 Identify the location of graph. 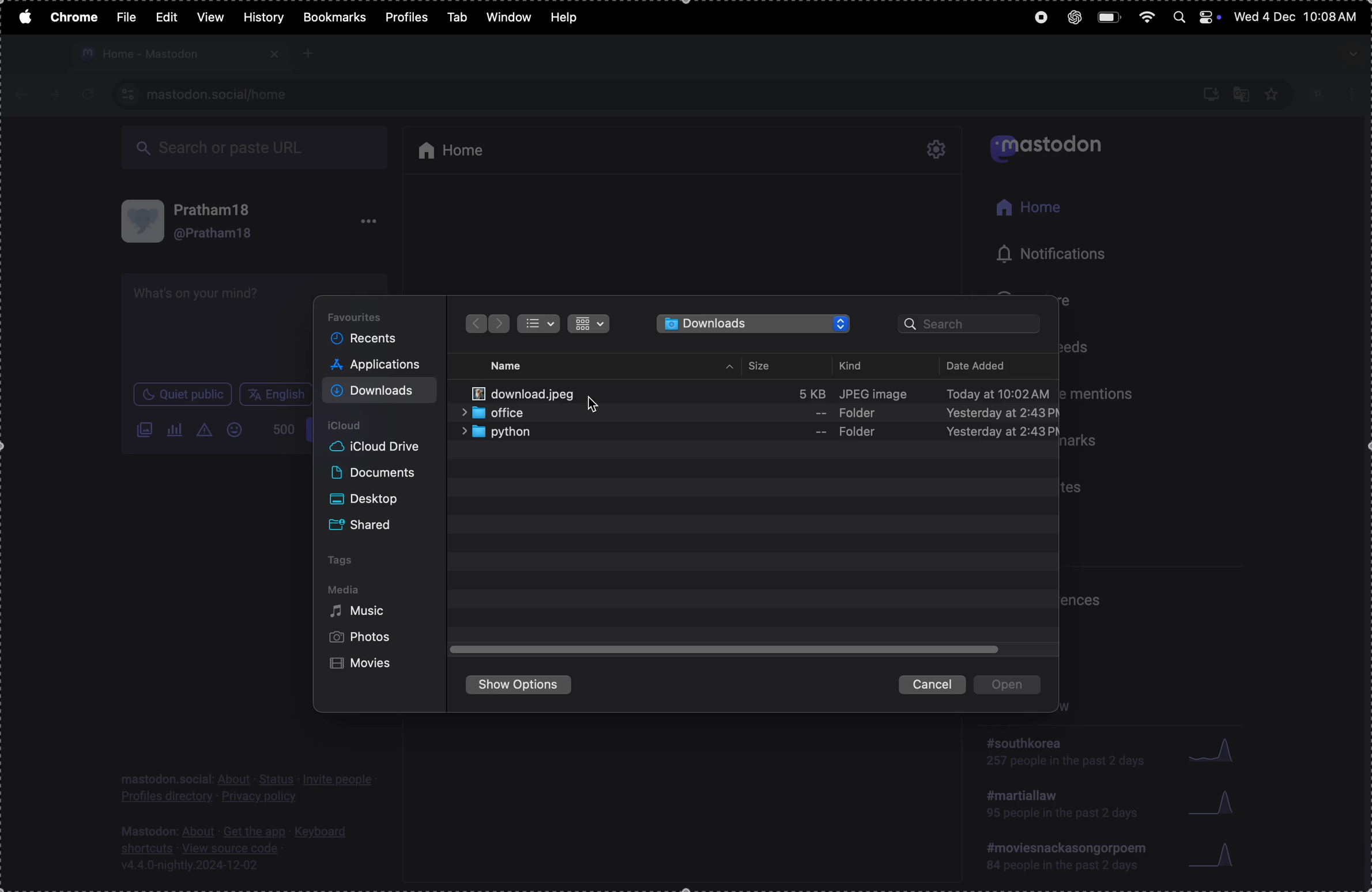
(1215, 803).